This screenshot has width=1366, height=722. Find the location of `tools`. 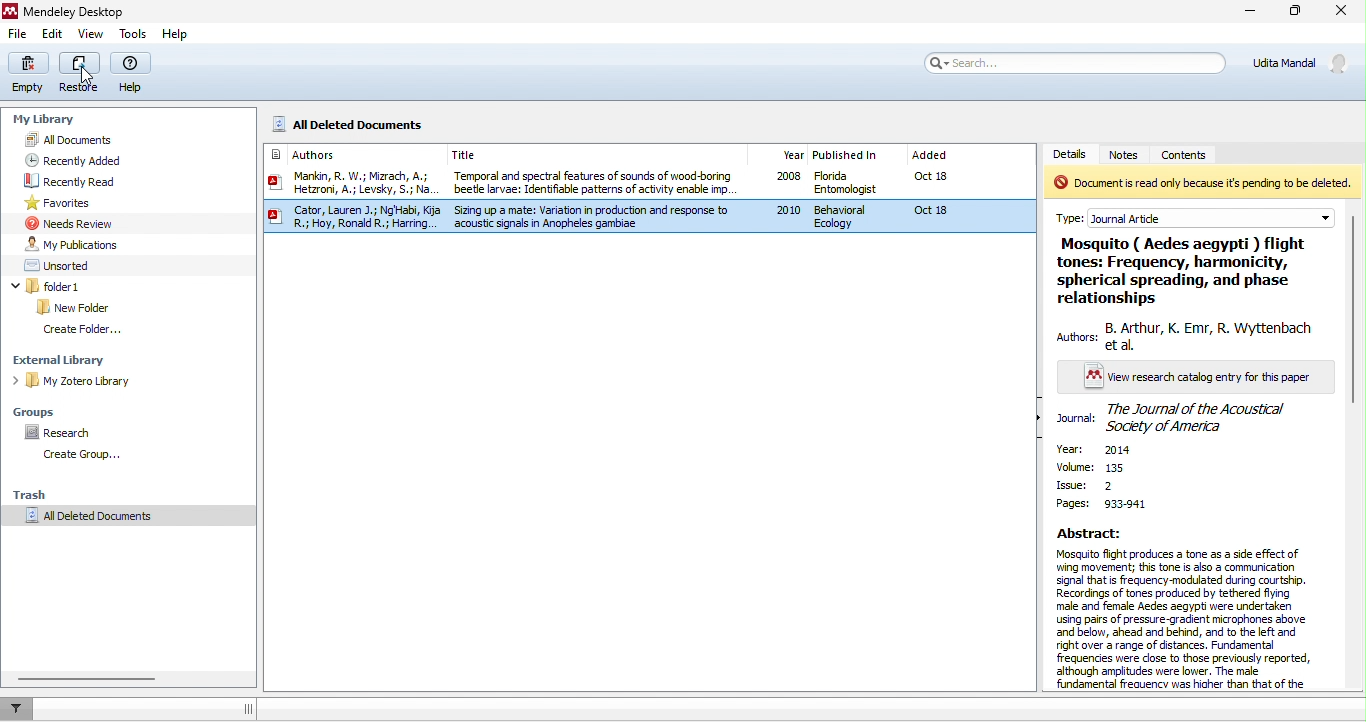

tools is located at coordinates (134, 34).